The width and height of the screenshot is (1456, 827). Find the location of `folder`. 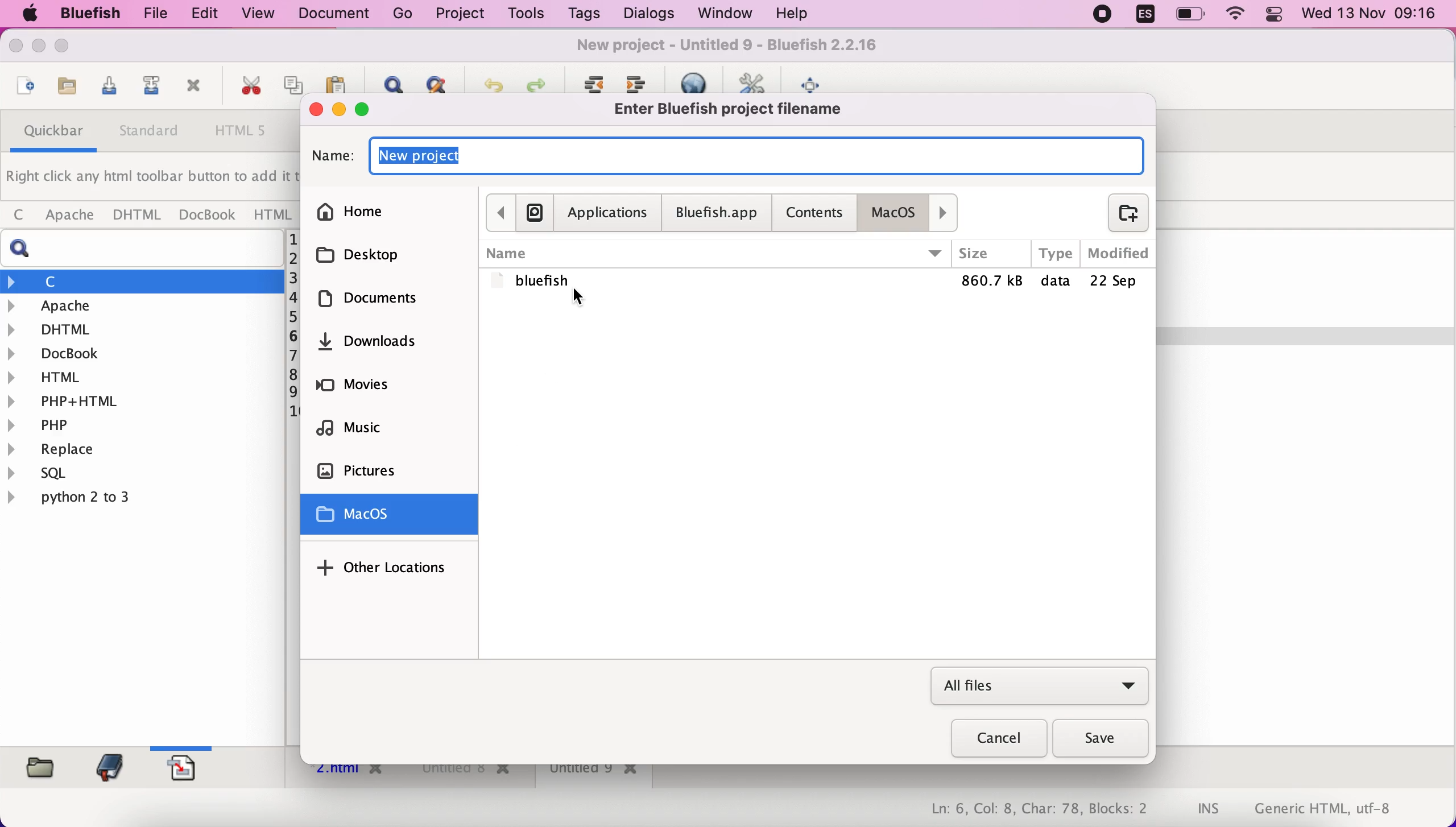

folder is located at coordinates (817, 283).